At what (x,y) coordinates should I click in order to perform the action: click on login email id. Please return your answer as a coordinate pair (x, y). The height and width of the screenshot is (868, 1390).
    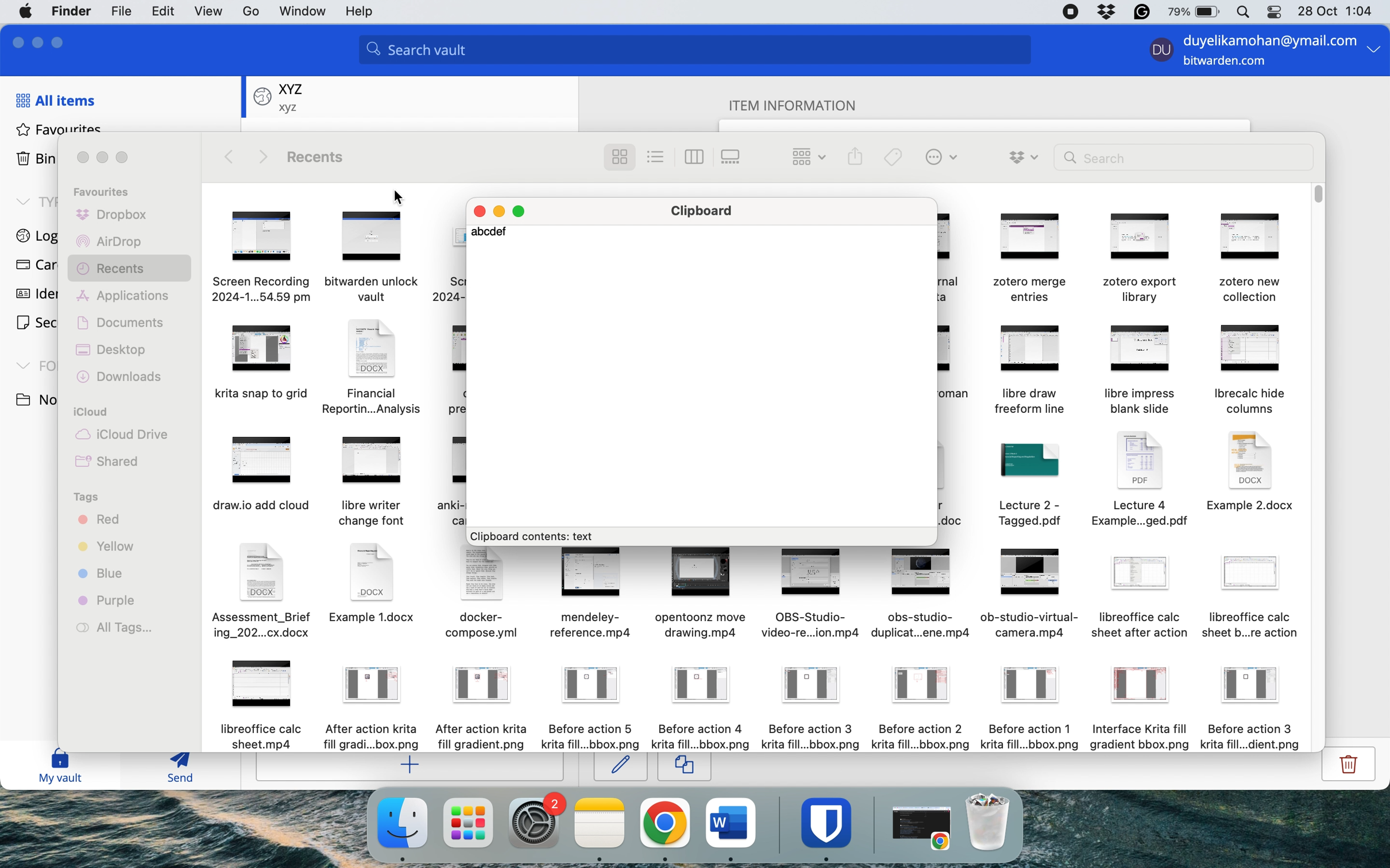
    Looking at the image, I should click on (1265, 38).